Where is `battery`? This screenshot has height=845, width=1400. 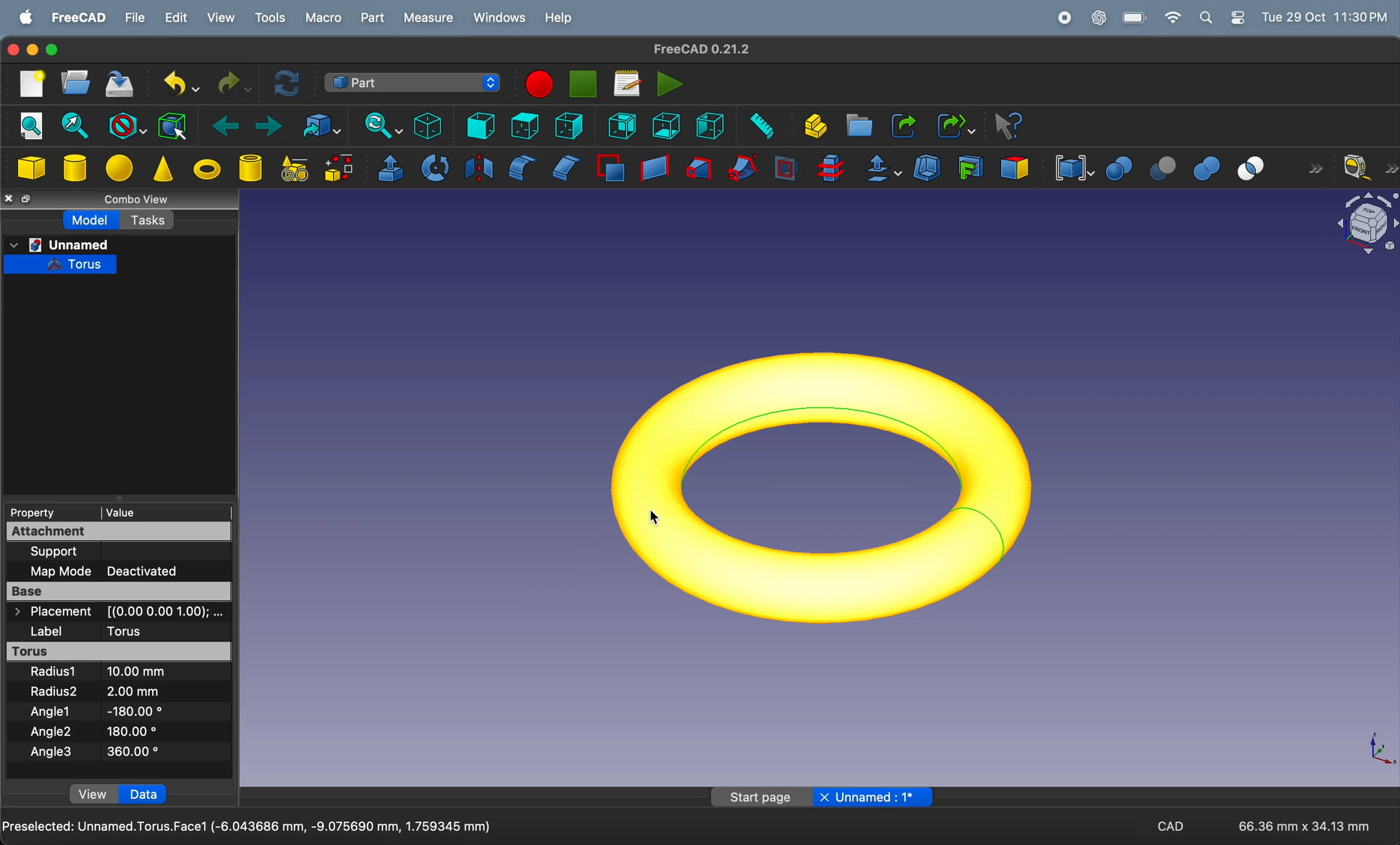 battery is located at coordinates (1134, 18).